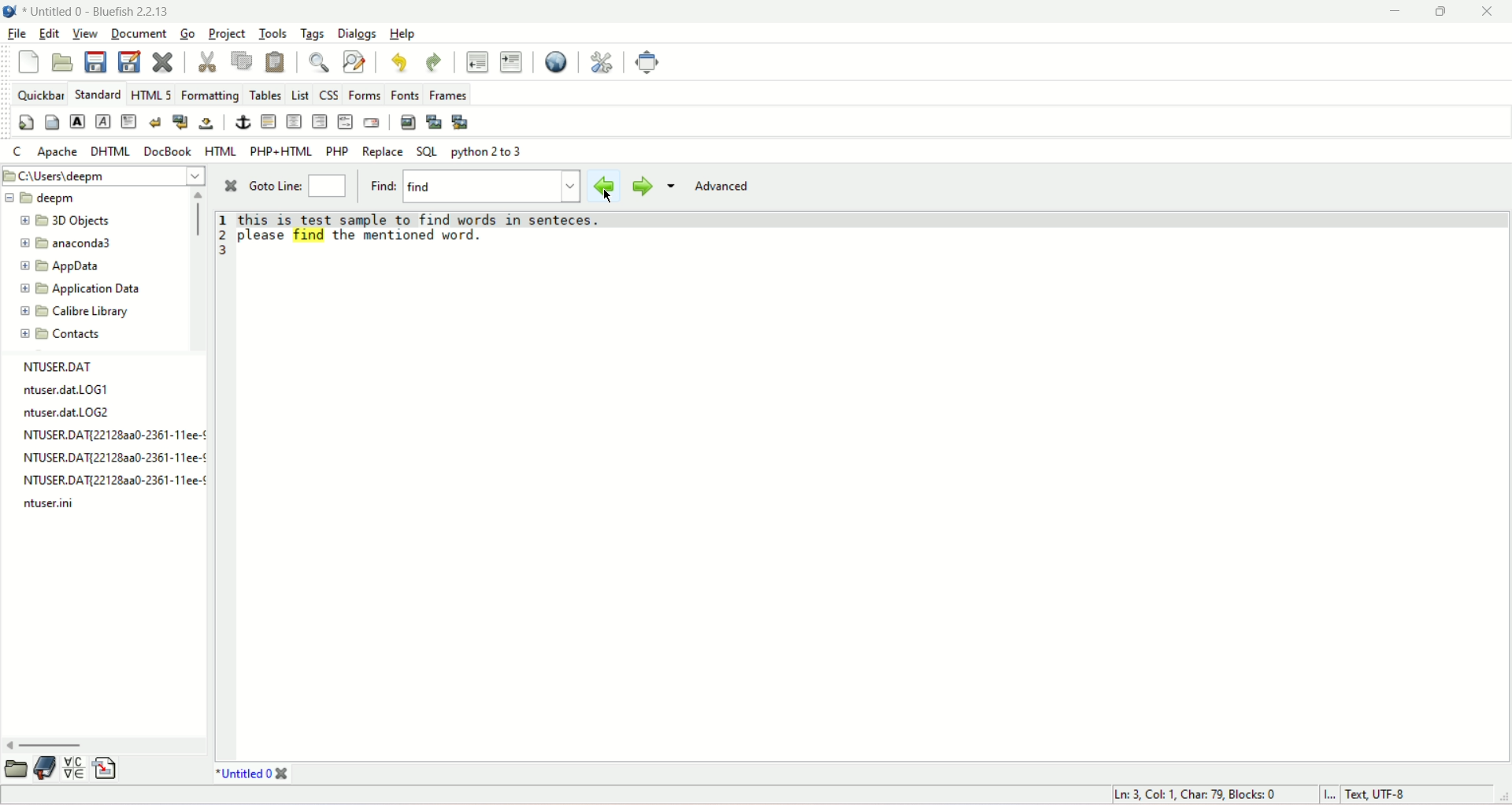  Describe the element at coordinates (102, 123) in the screenshot. I see `emphasis` at that location.